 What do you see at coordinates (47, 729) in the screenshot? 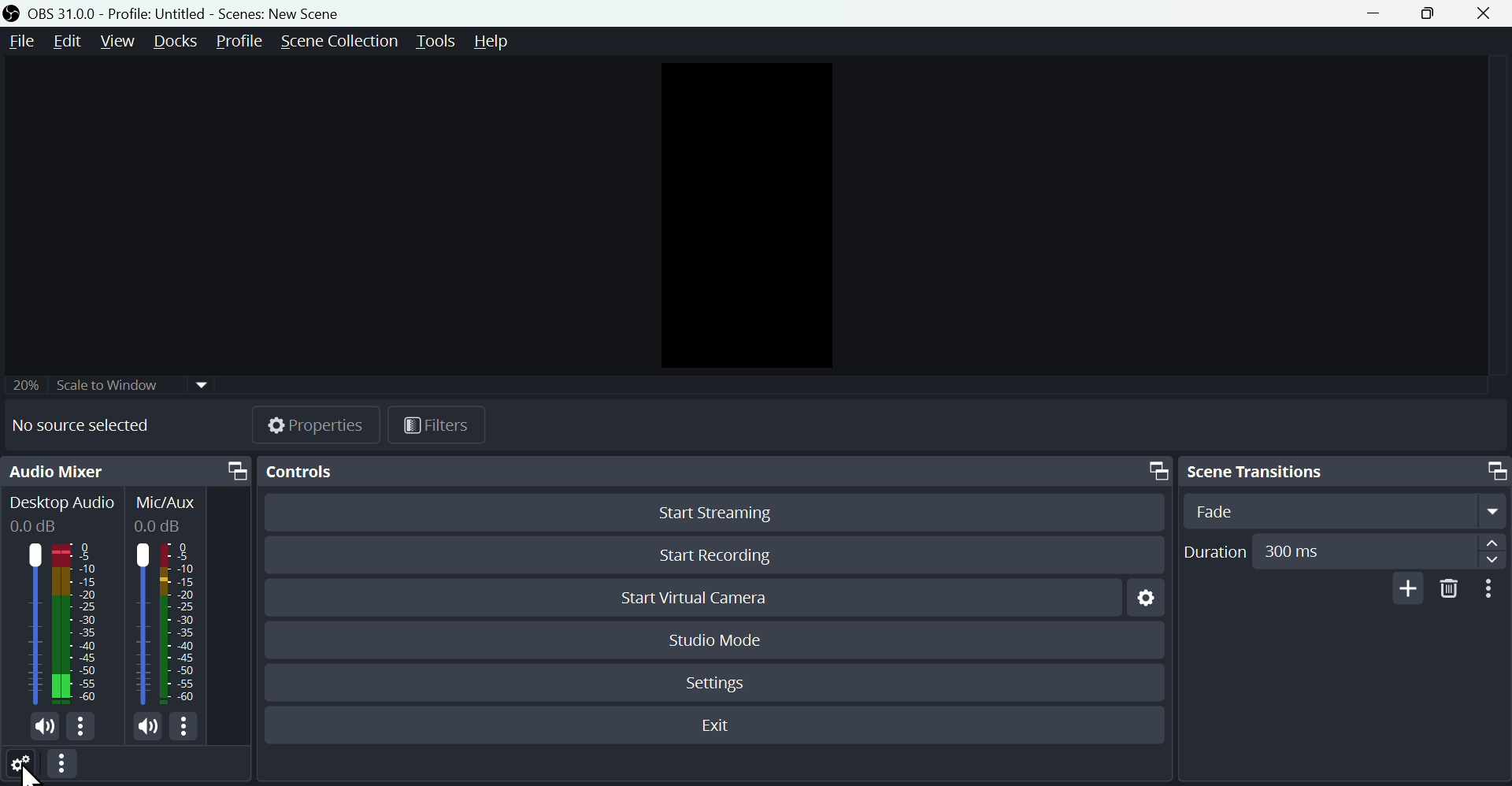
I see `(un)mute` at bounding box center [47, 729].